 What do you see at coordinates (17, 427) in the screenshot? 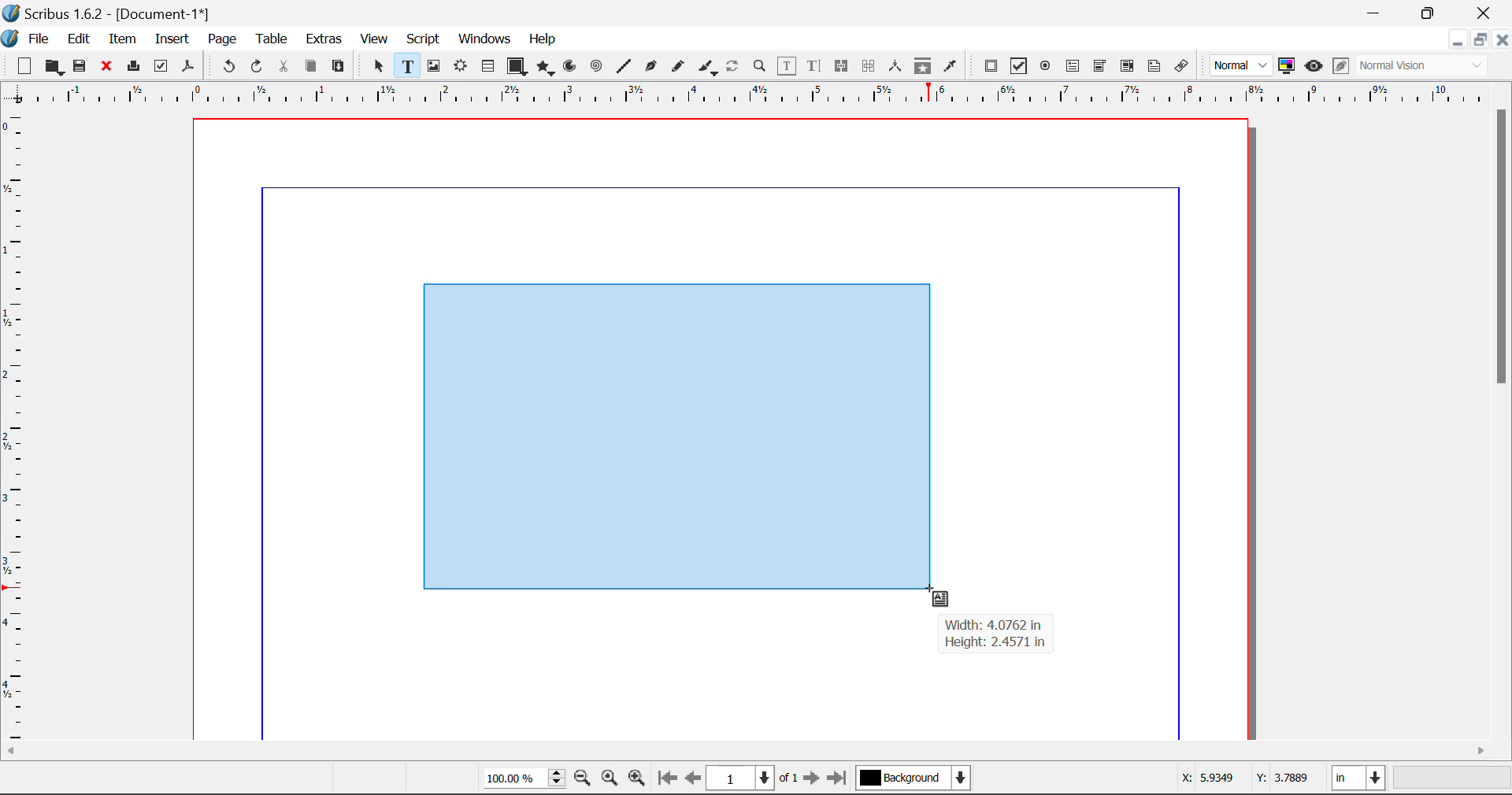
I see `Horizontal Page Margins` at bounding box center [17, 427].